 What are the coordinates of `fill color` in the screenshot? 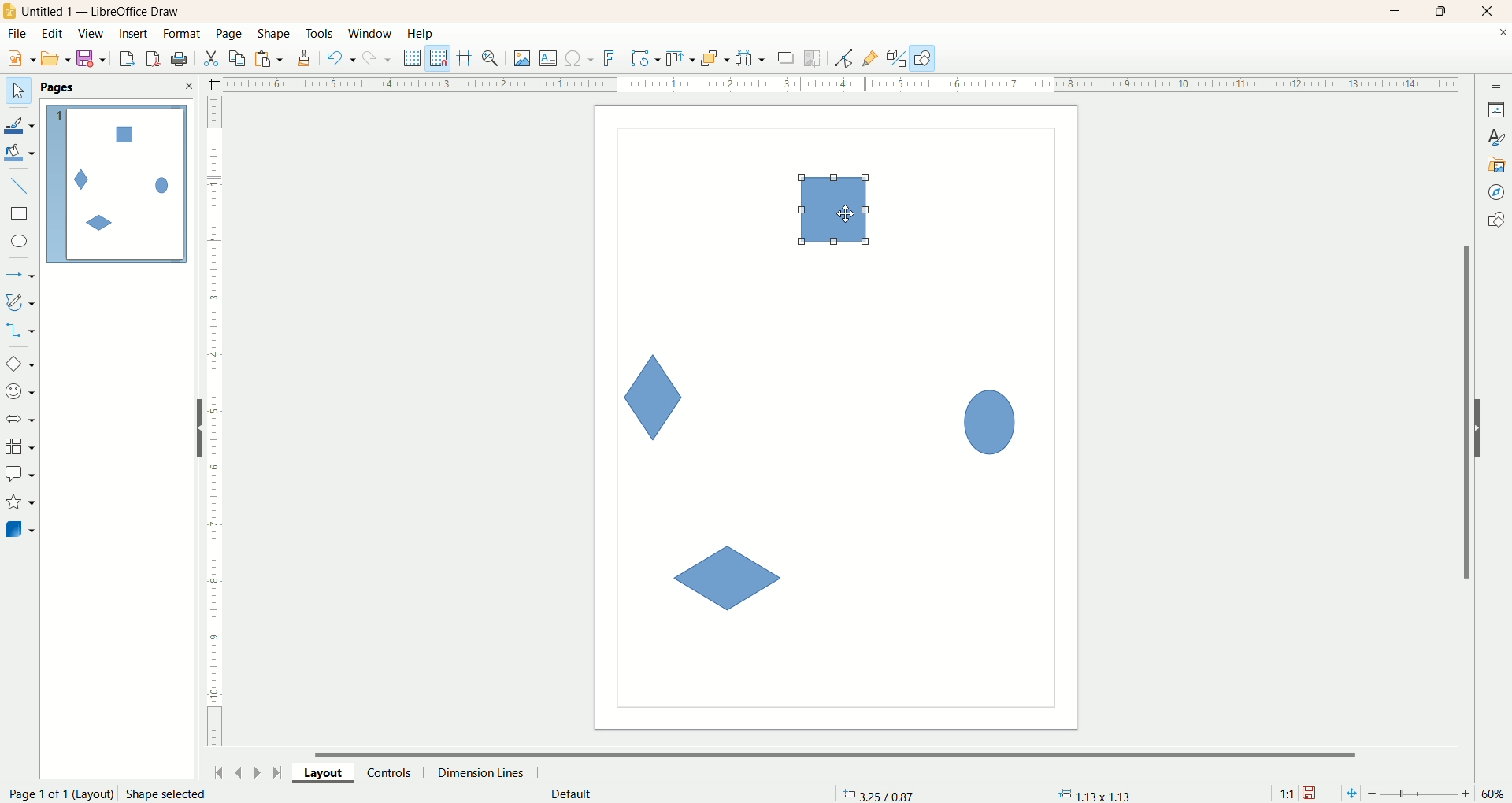 It's located at (21, 154).